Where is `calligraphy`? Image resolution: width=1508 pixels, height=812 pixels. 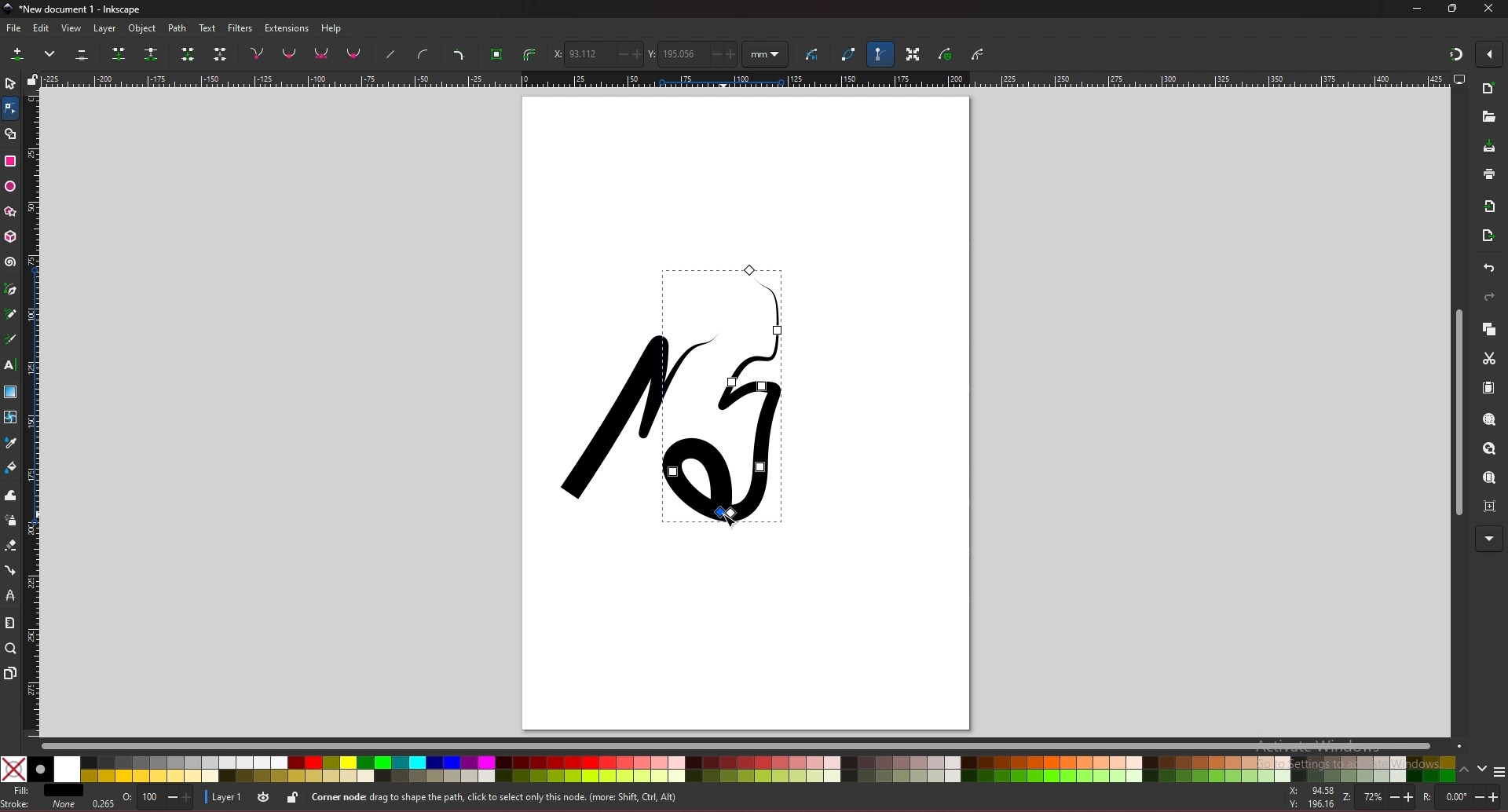 calligraphy is located at coordinates (10, 339).